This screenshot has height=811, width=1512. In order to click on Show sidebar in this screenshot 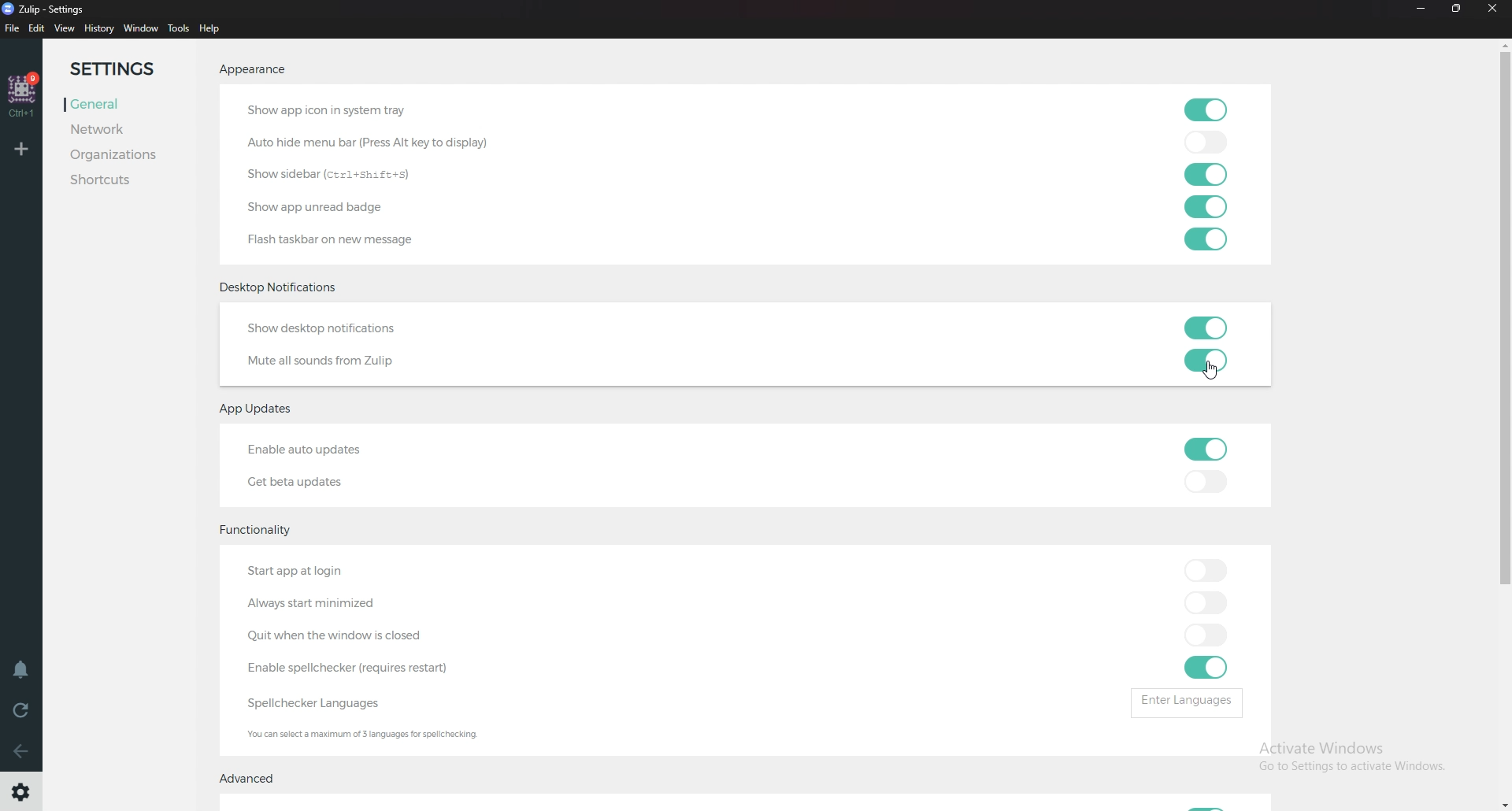, I will do `click(329, 176)`.